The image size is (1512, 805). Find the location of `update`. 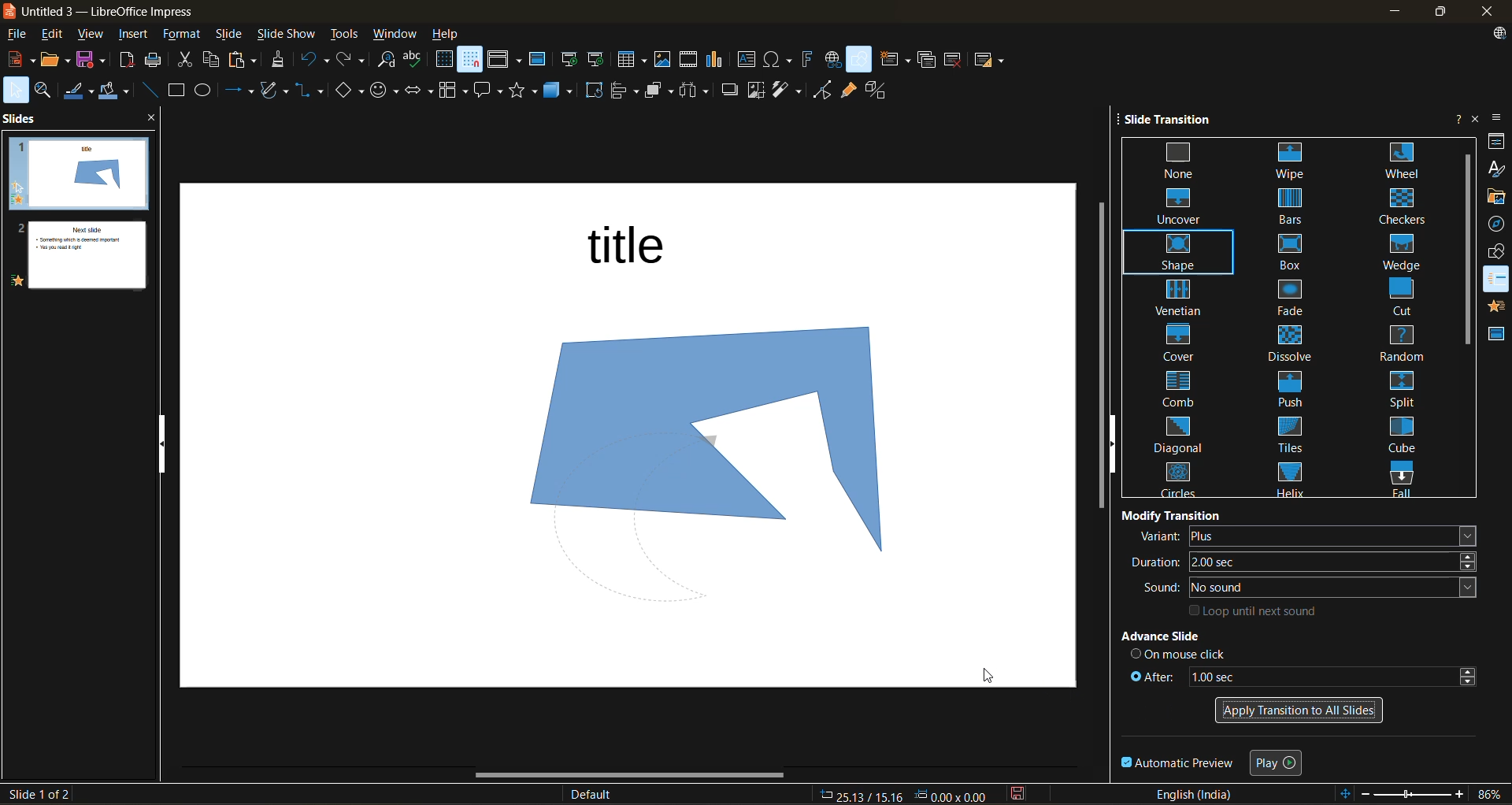

update is located at coordinates (1501, 33).